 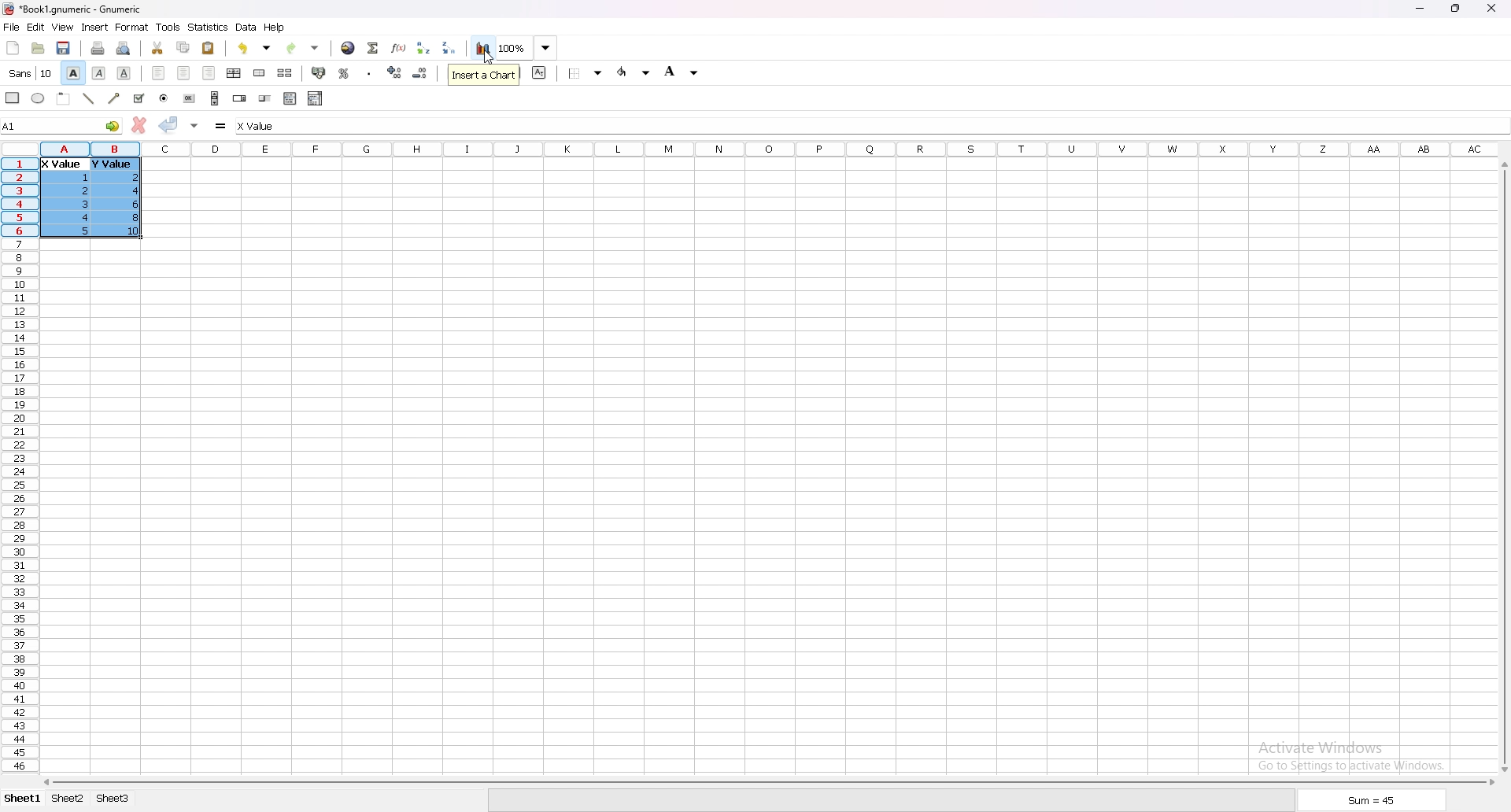 What do you see at coordinates (272, 126) in the screenshot?
I see `cell input` at bounding box center [272, 126].